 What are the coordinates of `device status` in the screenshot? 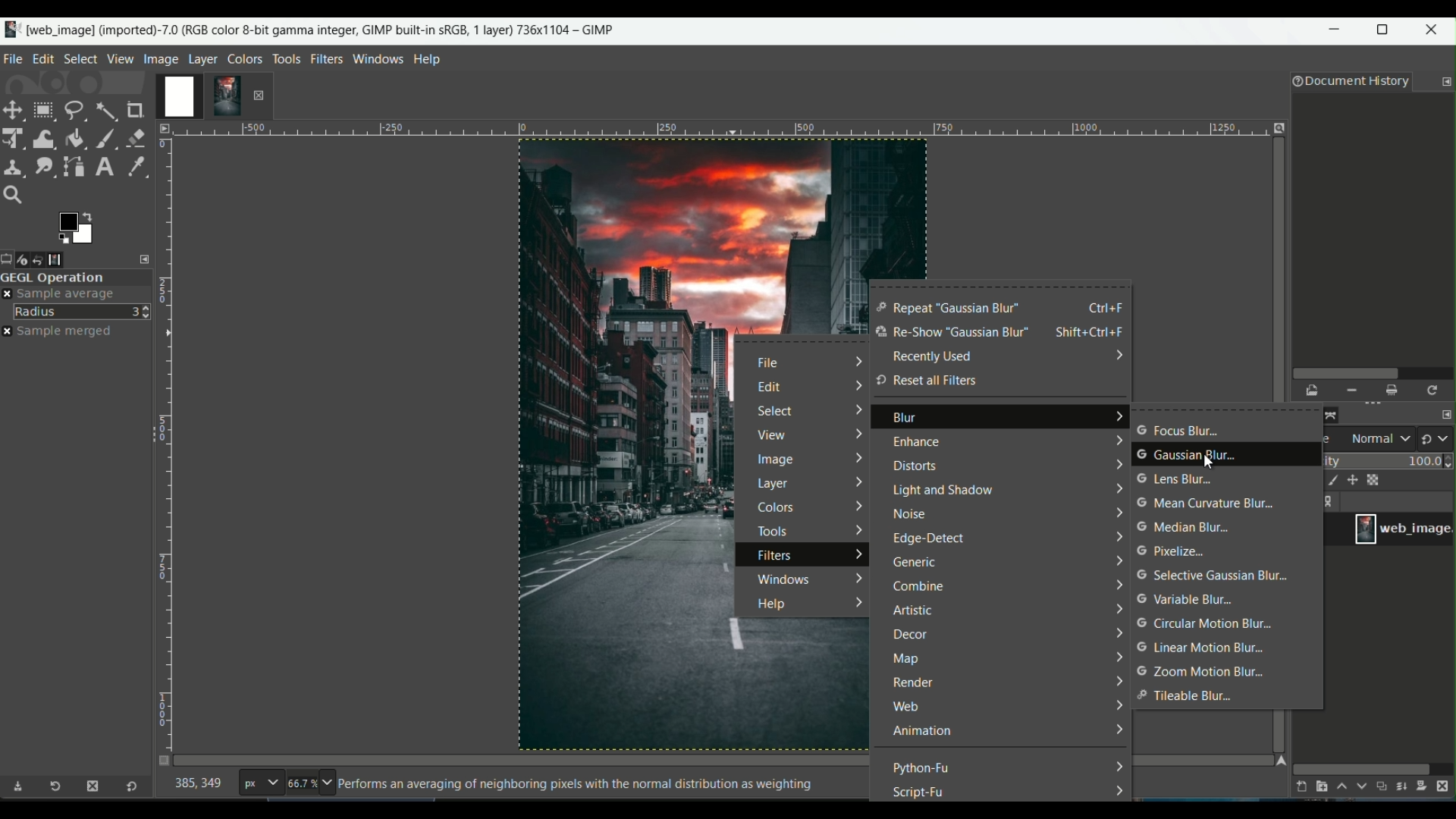 It's located at (28, 259).